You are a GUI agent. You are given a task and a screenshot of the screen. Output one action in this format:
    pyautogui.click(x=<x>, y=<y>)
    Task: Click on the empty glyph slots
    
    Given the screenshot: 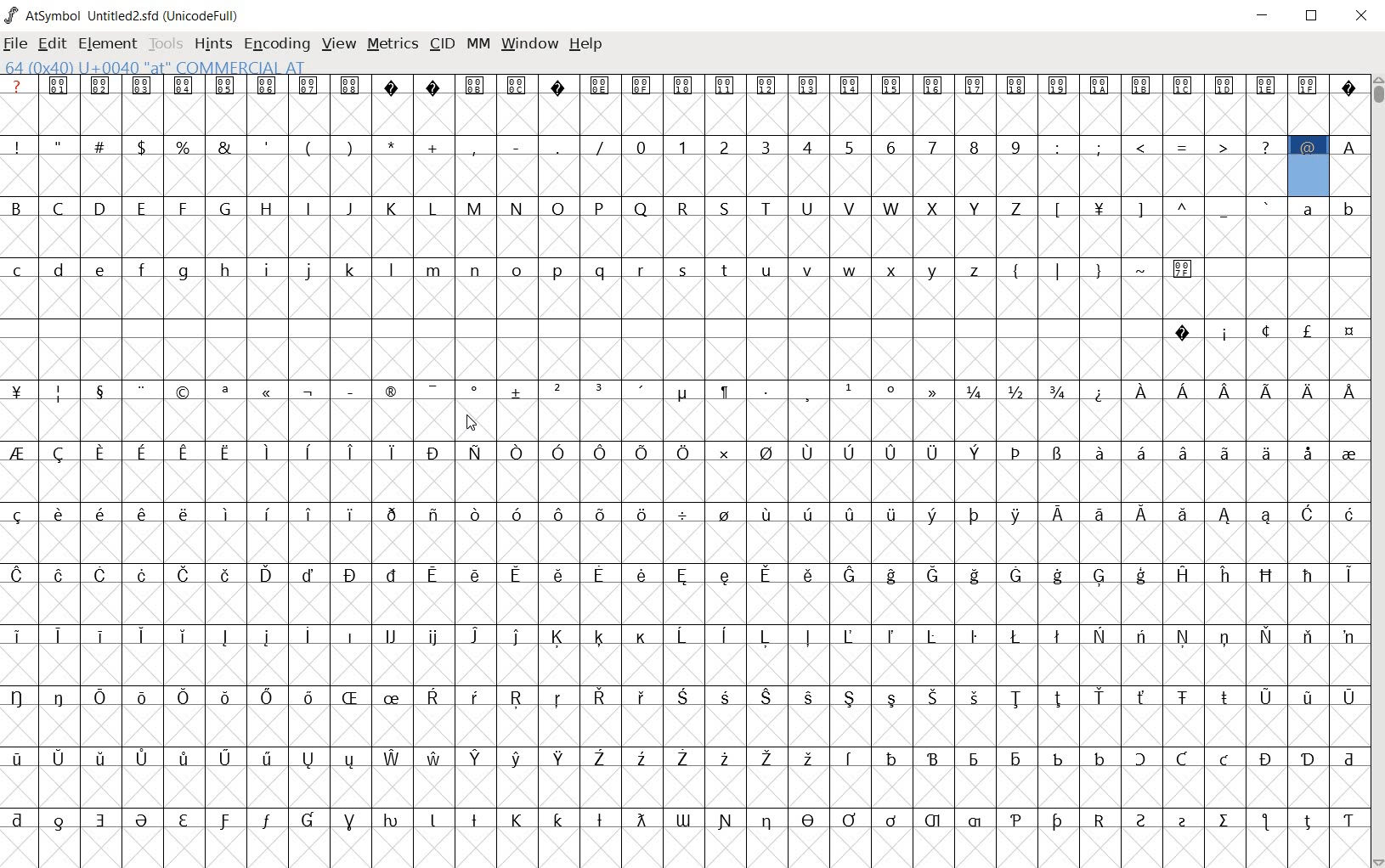 What is the action you would take?
    pyautogui.click(x=684, y=360)
    